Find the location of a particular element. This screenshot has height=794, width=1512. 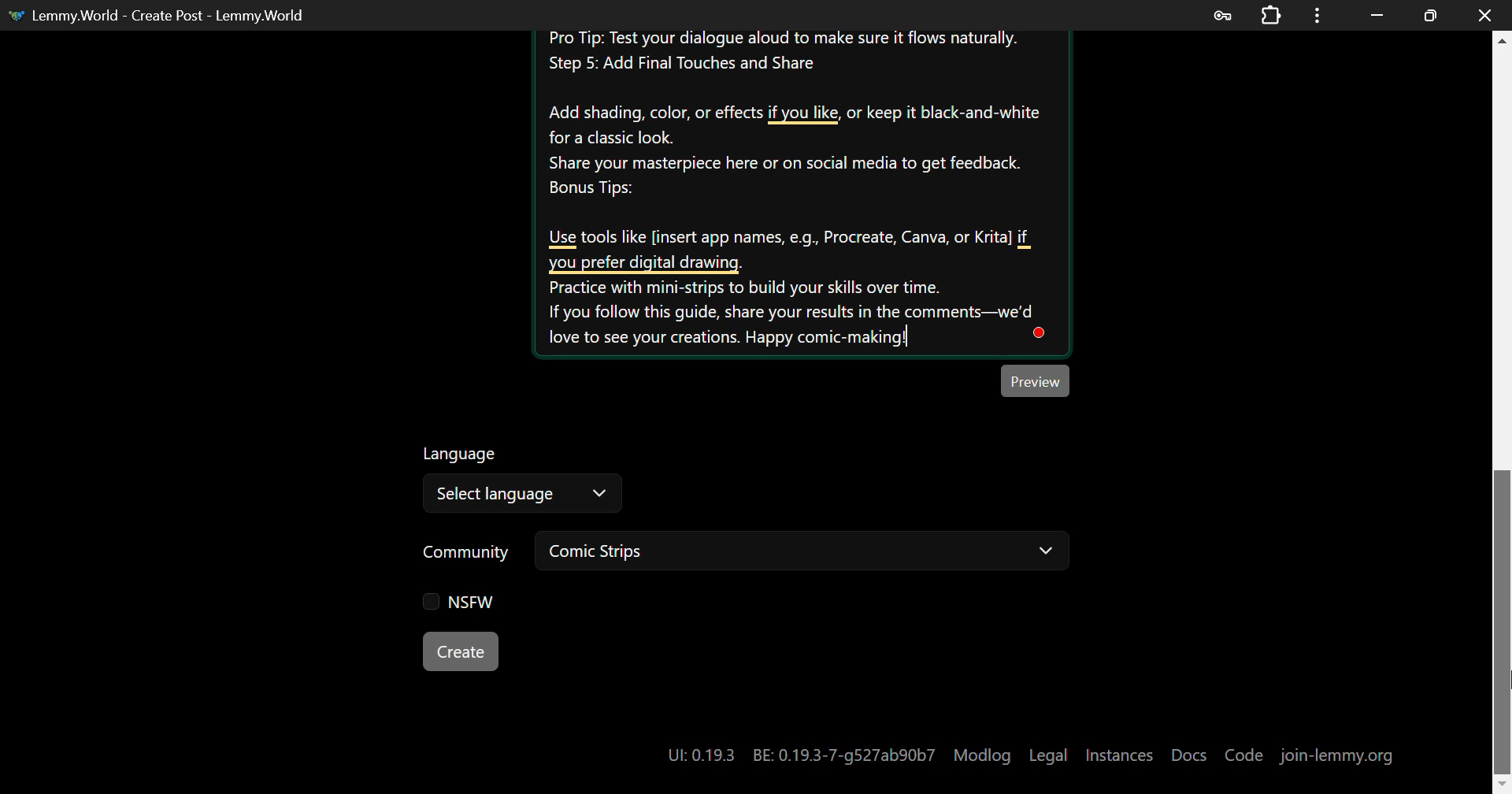

Password Data Saved is located at coordinates (1224, 14).